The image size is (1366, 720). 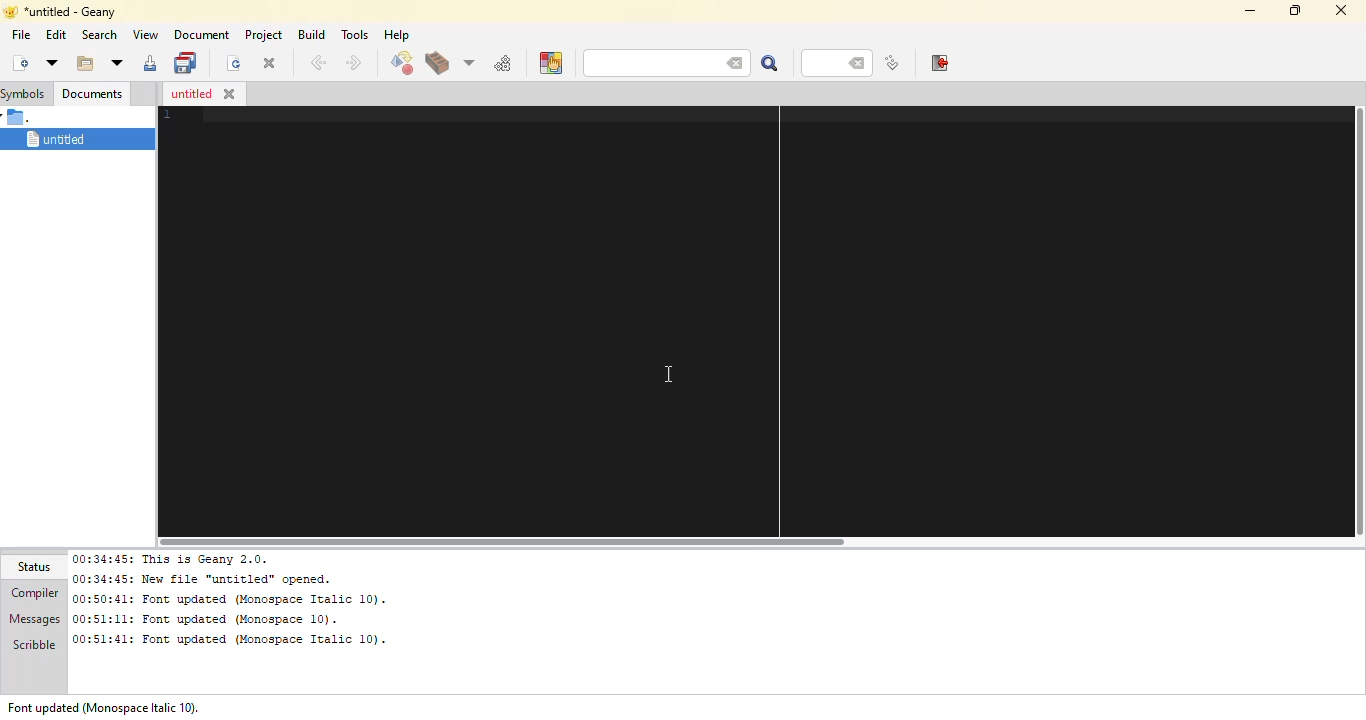 What do you see at coordinates (149, 65) in the screenshot?
I see `save` at bounding box center [149, 65].